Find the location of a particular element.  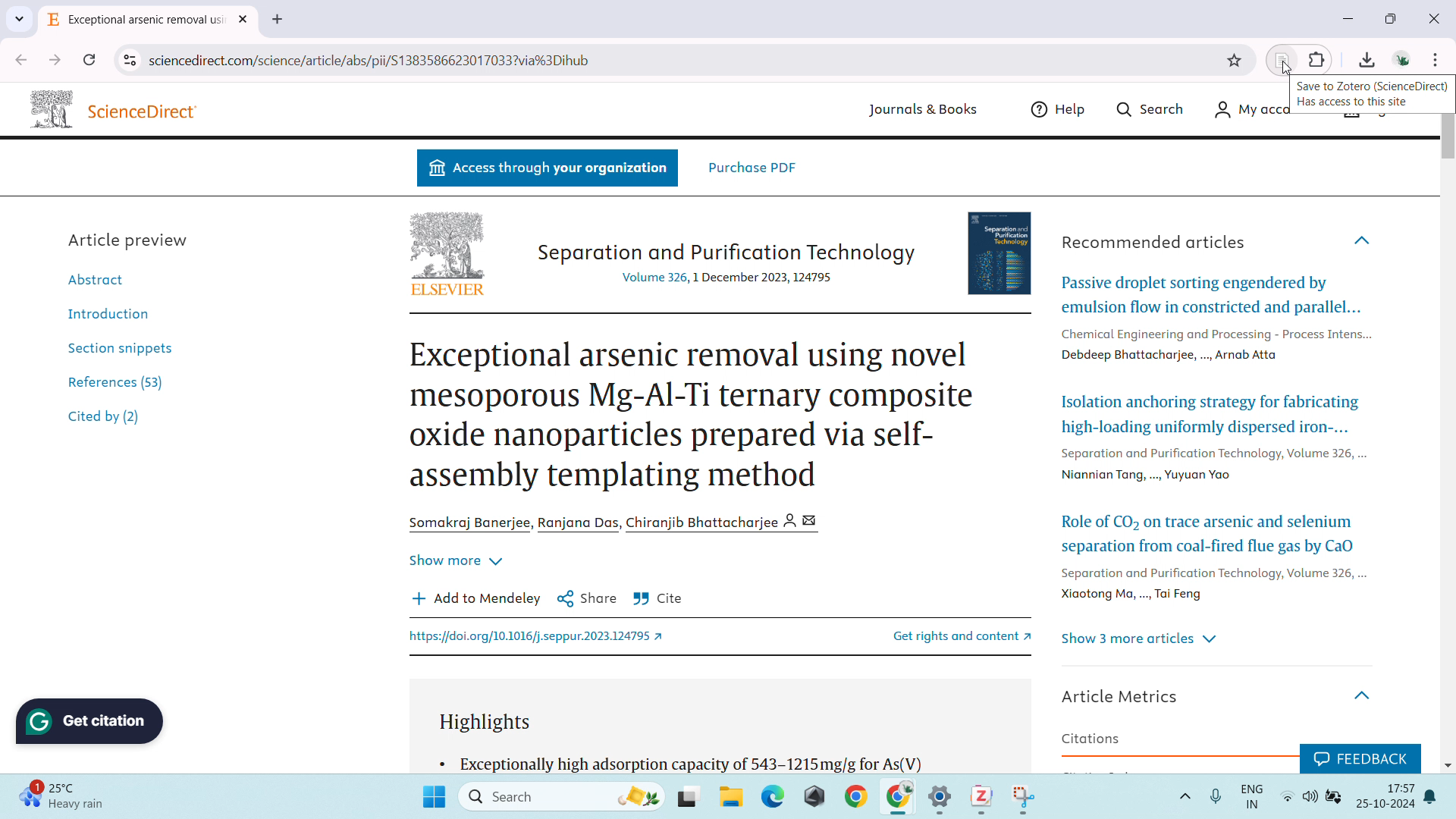

Exceptional arsenic removal  is located at coordinates (136, 22).